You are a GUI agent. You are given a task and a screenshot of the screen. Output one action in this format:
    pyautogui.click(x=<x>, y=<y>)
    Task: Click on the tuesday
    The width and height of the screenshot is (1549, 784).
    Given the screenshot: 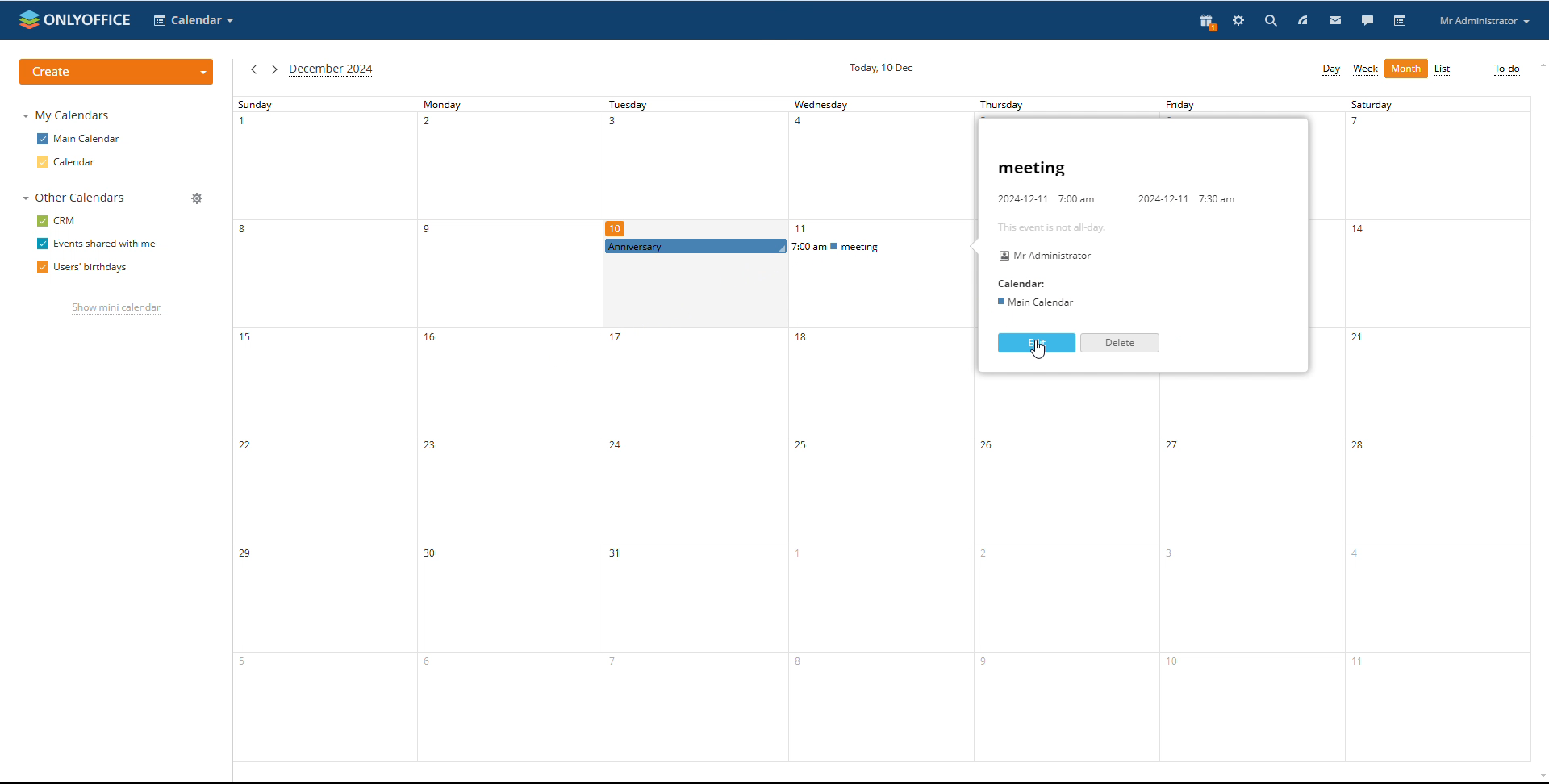 What is the action you would take?
    pyautogui.click(x=690, y=510)
    